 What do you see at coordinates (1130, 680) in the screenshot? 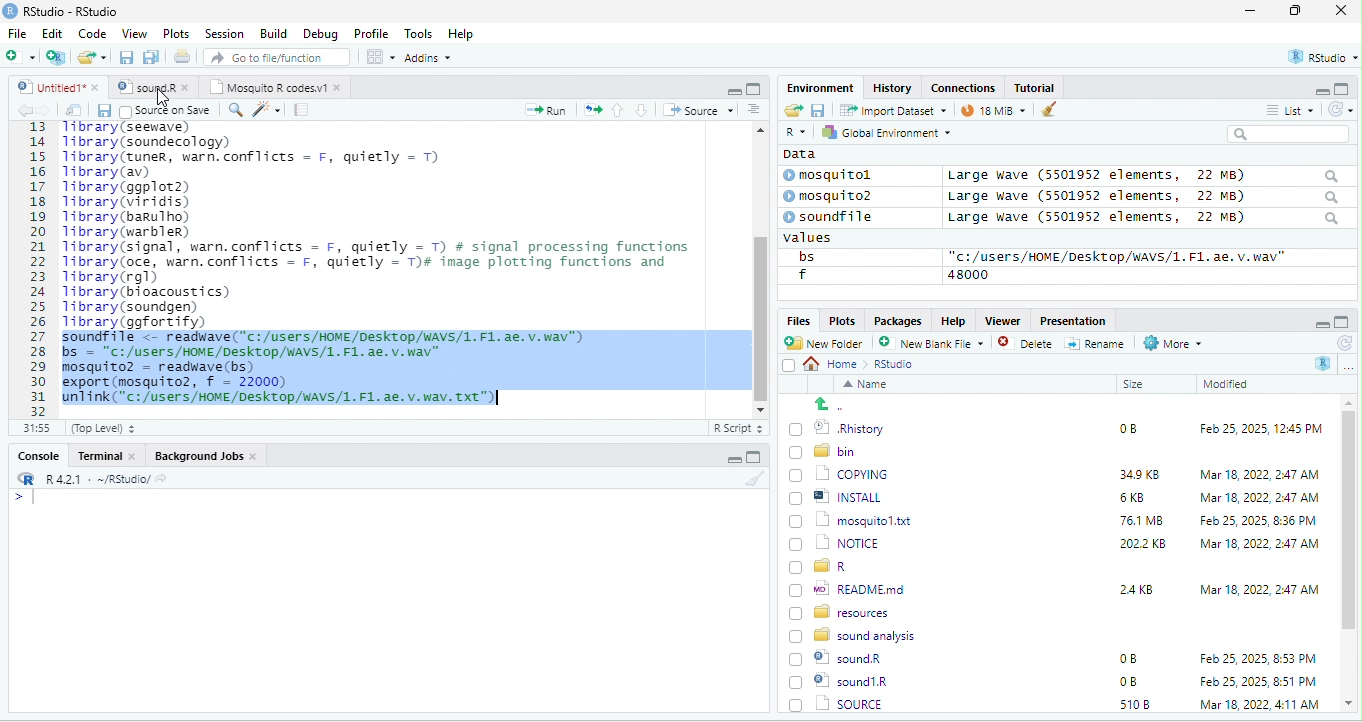
I see `5108` at bounding box center [1130, 680].